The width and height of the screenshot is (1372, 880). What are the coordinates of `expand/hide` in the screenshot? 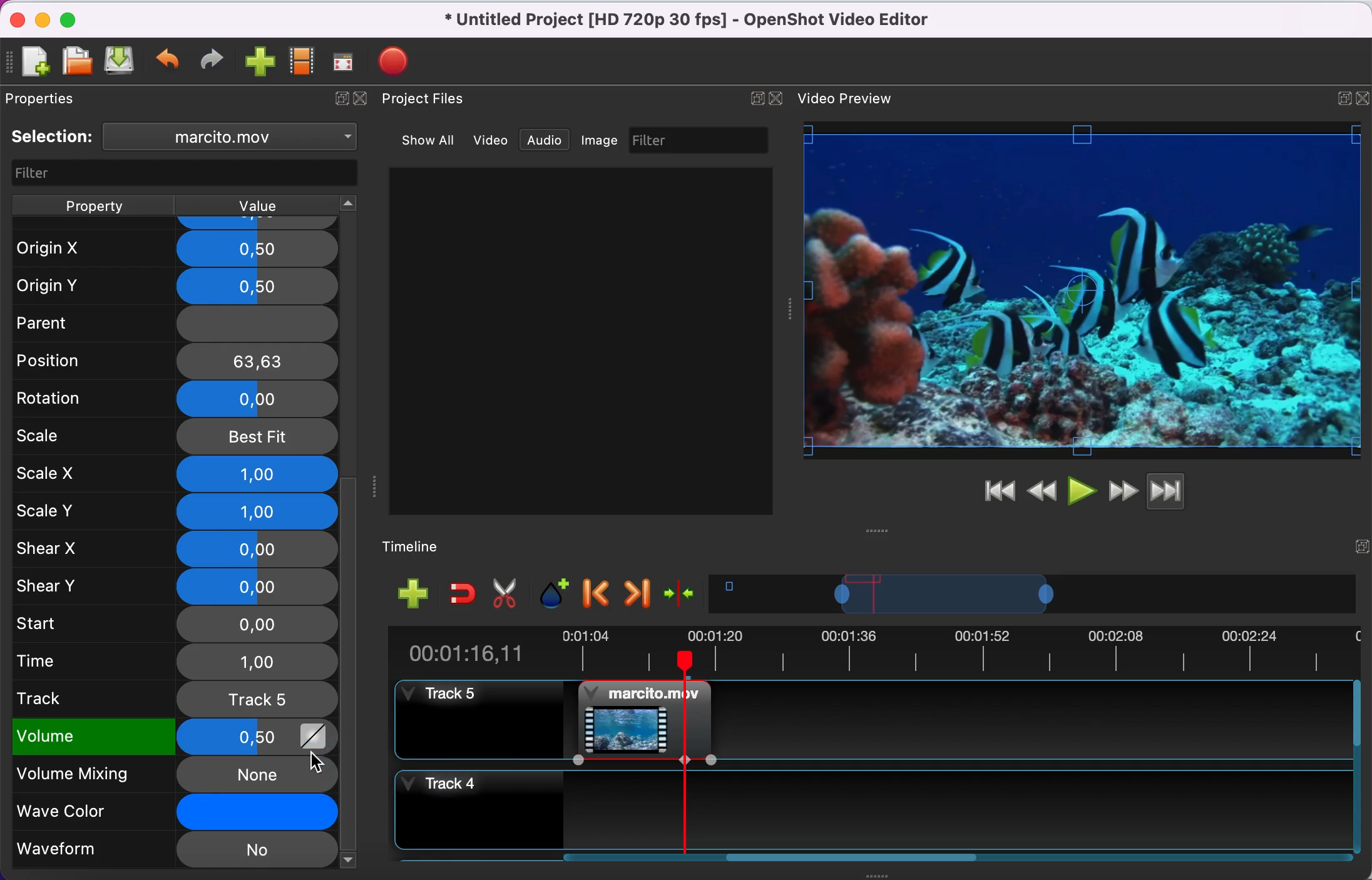 It's located at (338, 101).